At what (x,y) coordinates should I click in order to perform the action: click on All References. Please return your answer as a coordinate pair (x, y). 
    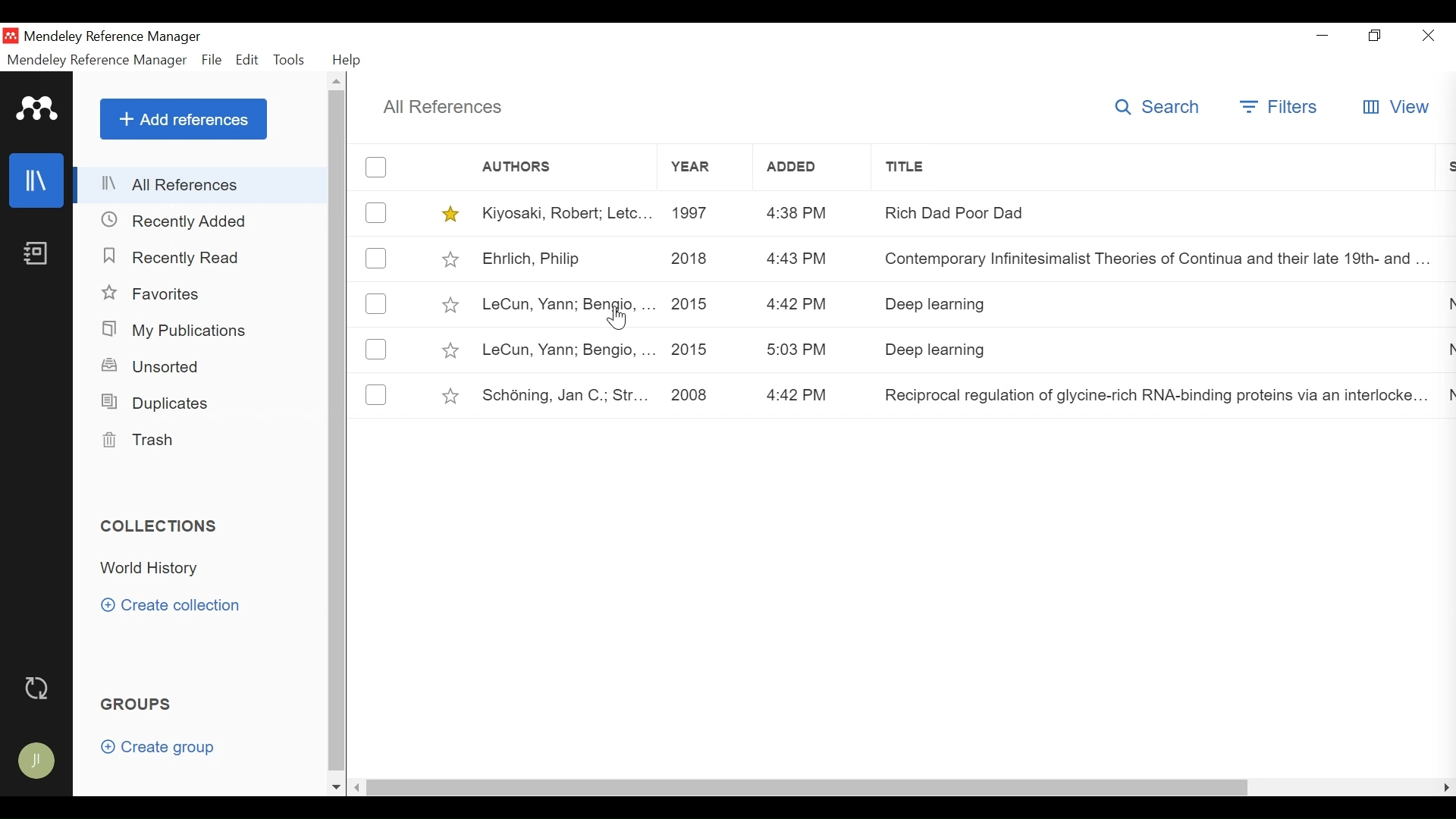
    Looking at the image, I should click on (444, 107).